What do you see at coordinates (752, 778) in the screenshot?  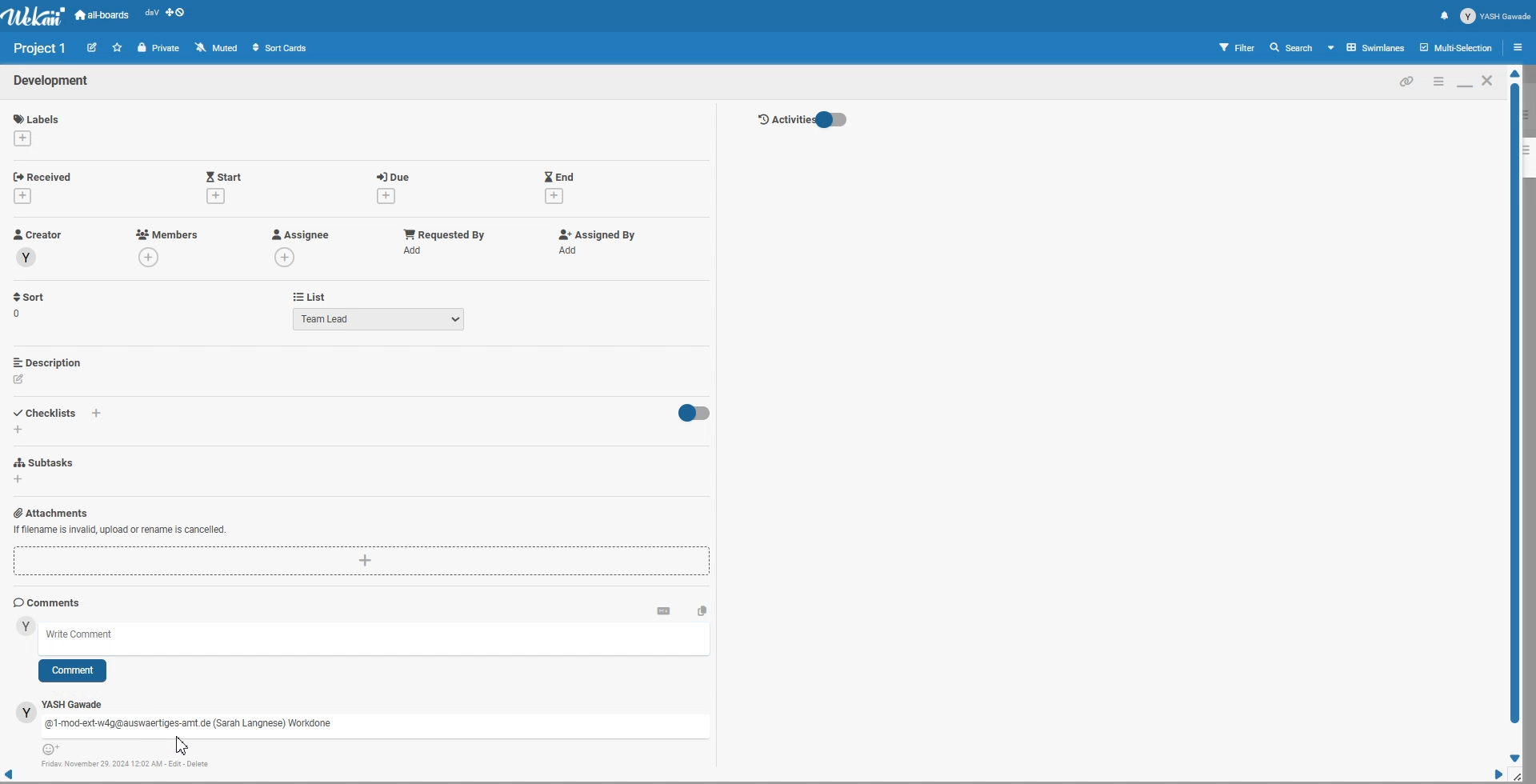 I see `Horizontal Scroll bar` at bounding box center [752, 778].